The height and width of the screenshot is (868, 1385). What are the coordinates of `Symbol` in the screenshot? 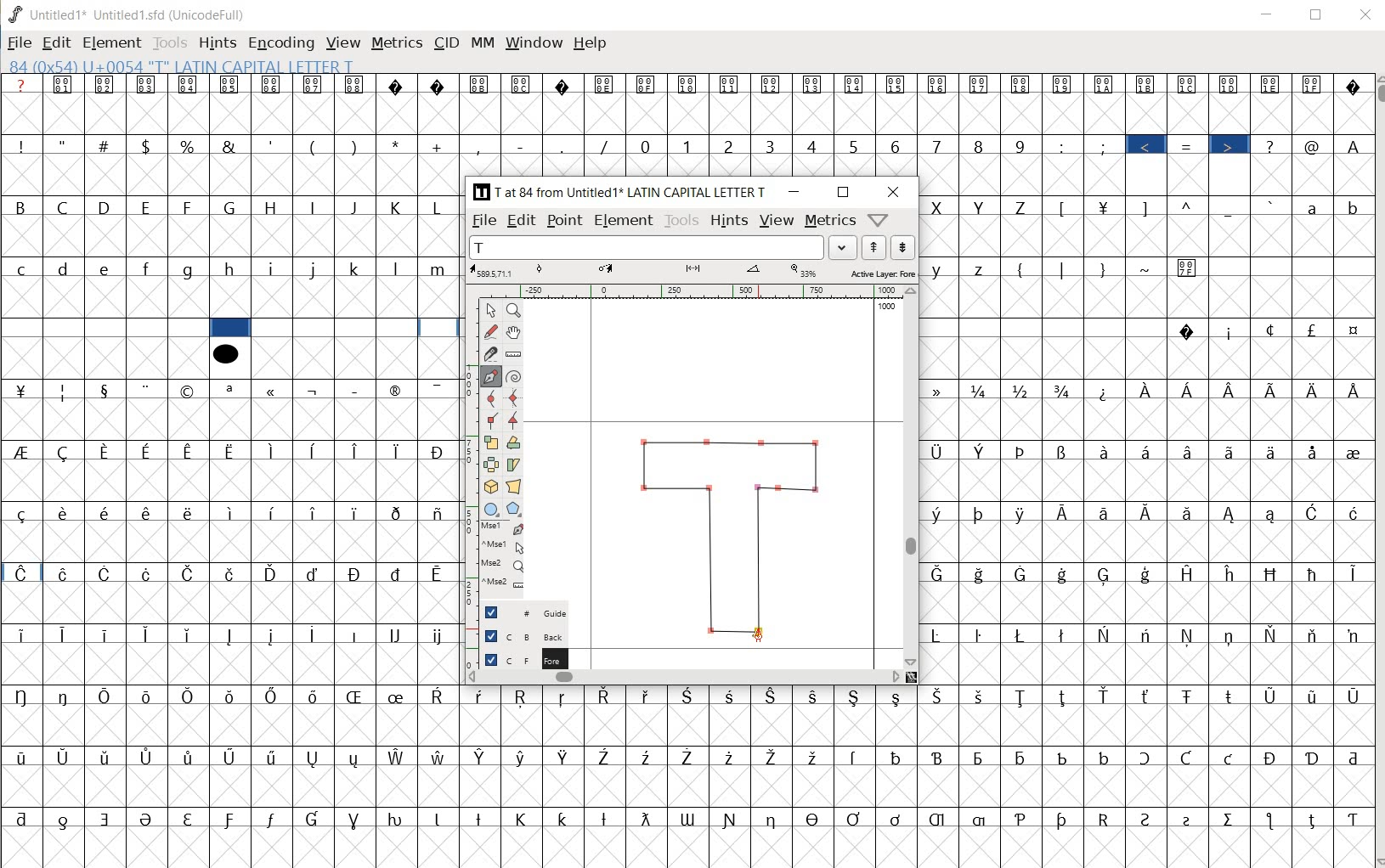 It's located at (231, 758).